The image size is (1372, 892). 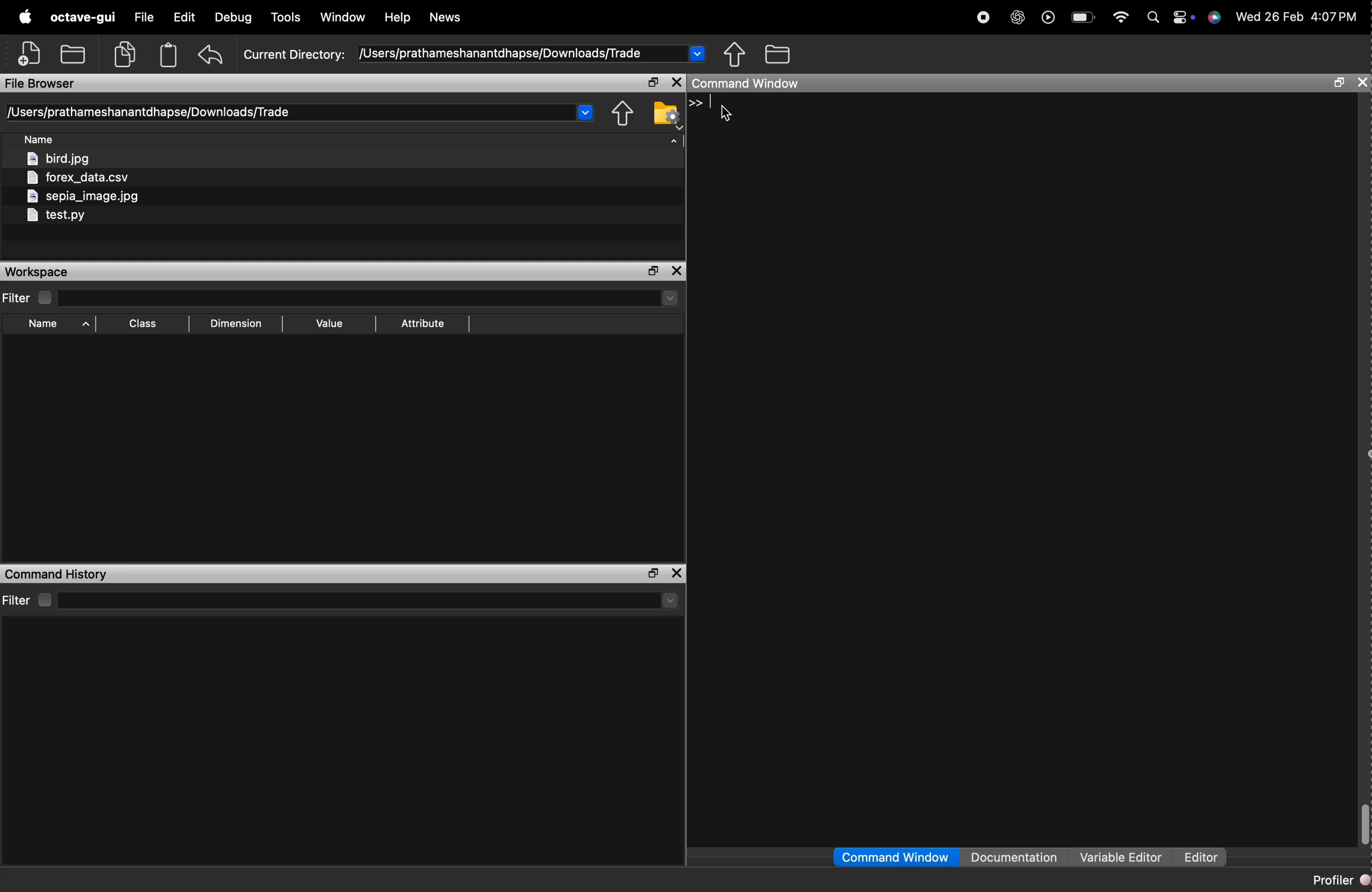 What do you see at coordinates (678, 273) in the screenshot?
I see `close` at bounding box center [678, 273].